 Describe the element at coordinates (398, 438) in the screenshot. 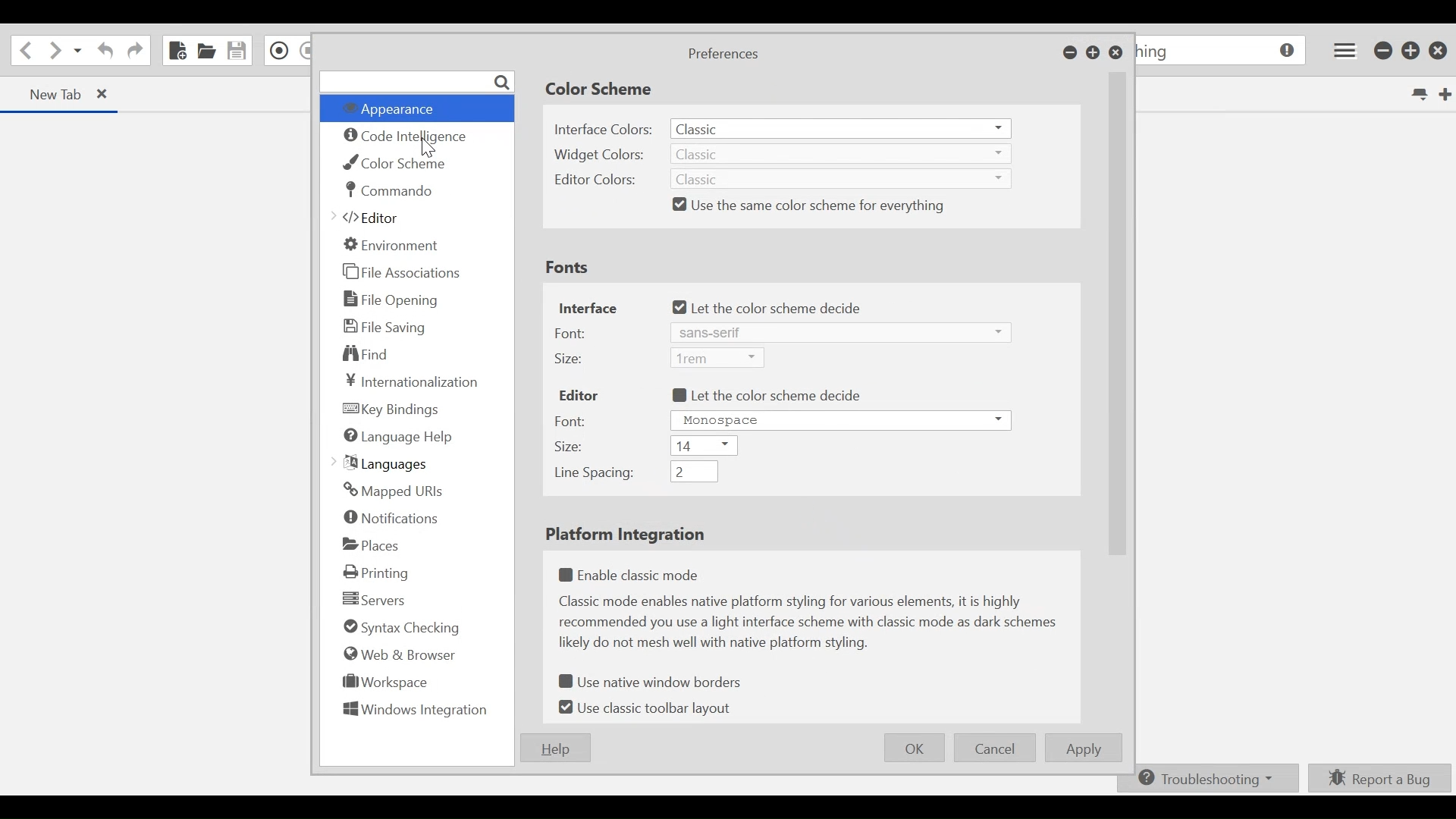

I see `Language Help` at that location.